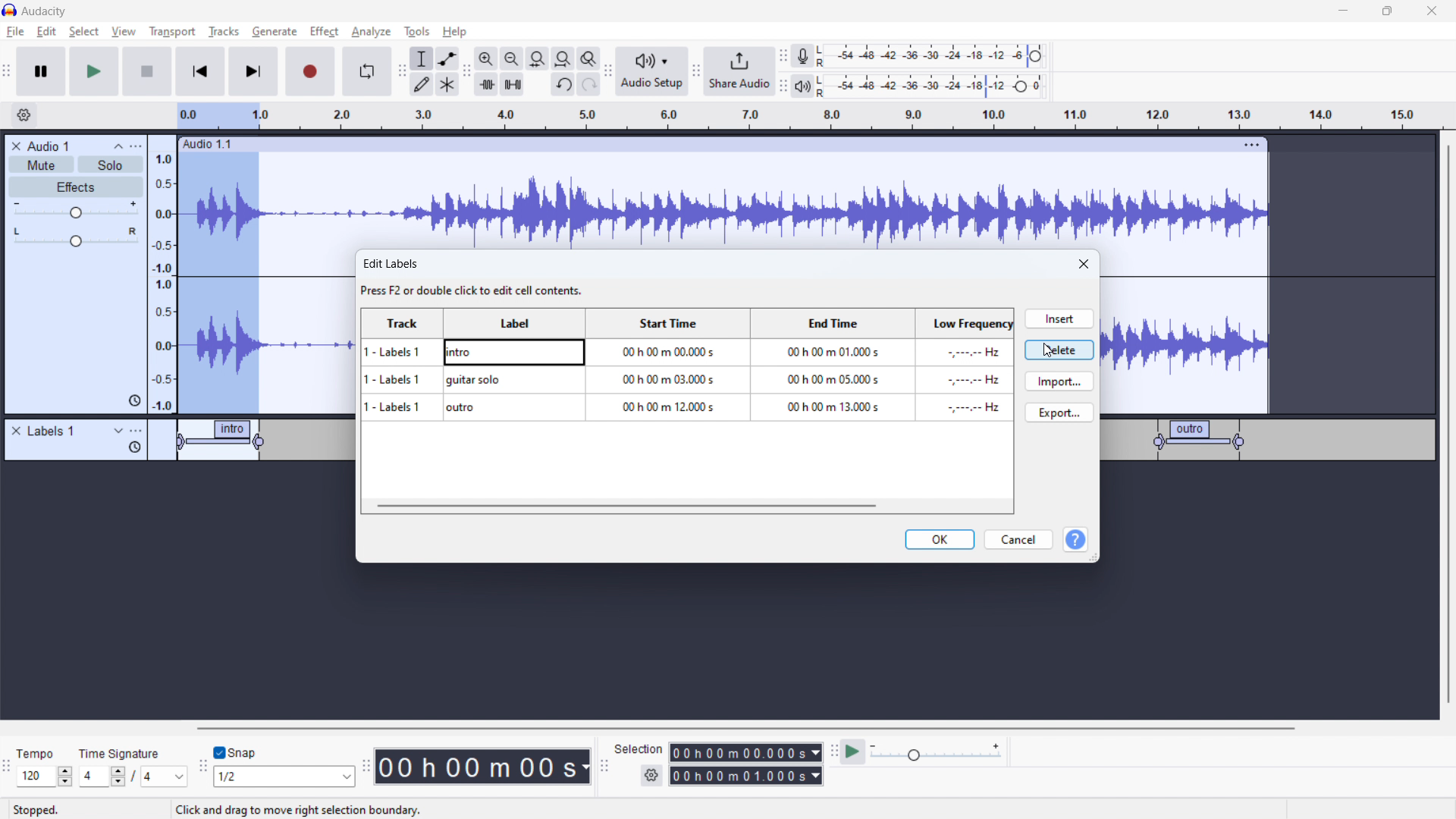 This screenshot has width=1456, height=819. What do you see at coordinates (940, 539) in the screenshot?
I see `ok` at bounding box center [940, 539].